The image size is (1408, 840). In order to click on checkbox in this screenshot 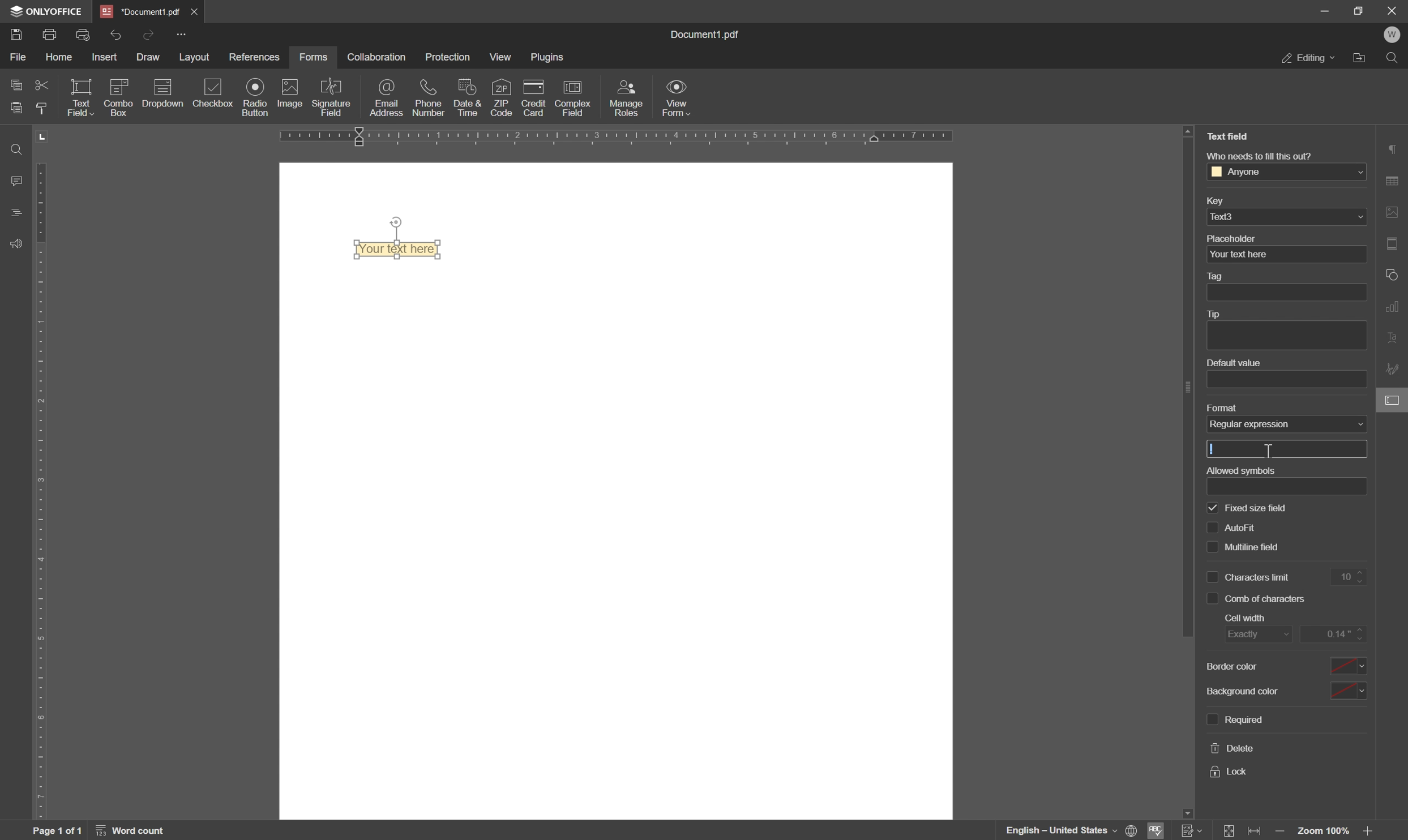, I will do `click(1212, 550)`.